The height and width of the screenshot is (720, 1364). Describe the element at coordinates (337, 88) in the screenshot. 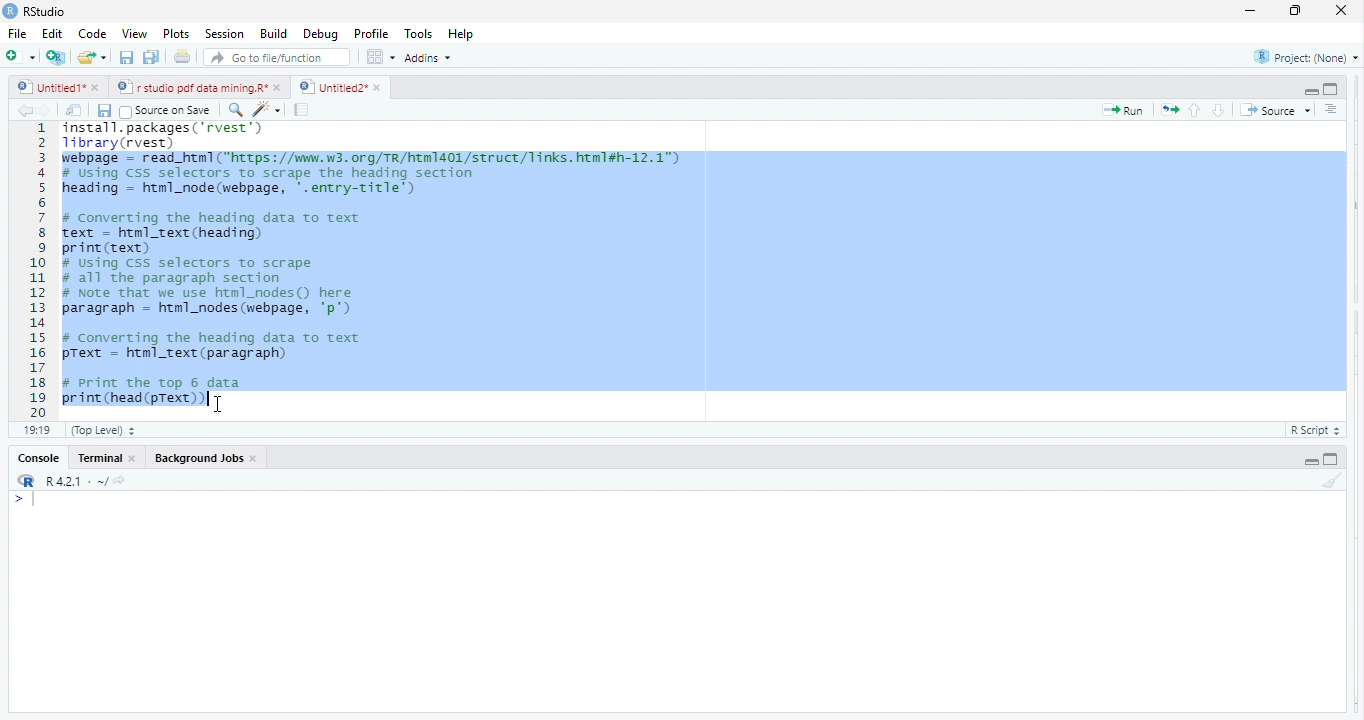

I see ` Untitied2" »` at that location.